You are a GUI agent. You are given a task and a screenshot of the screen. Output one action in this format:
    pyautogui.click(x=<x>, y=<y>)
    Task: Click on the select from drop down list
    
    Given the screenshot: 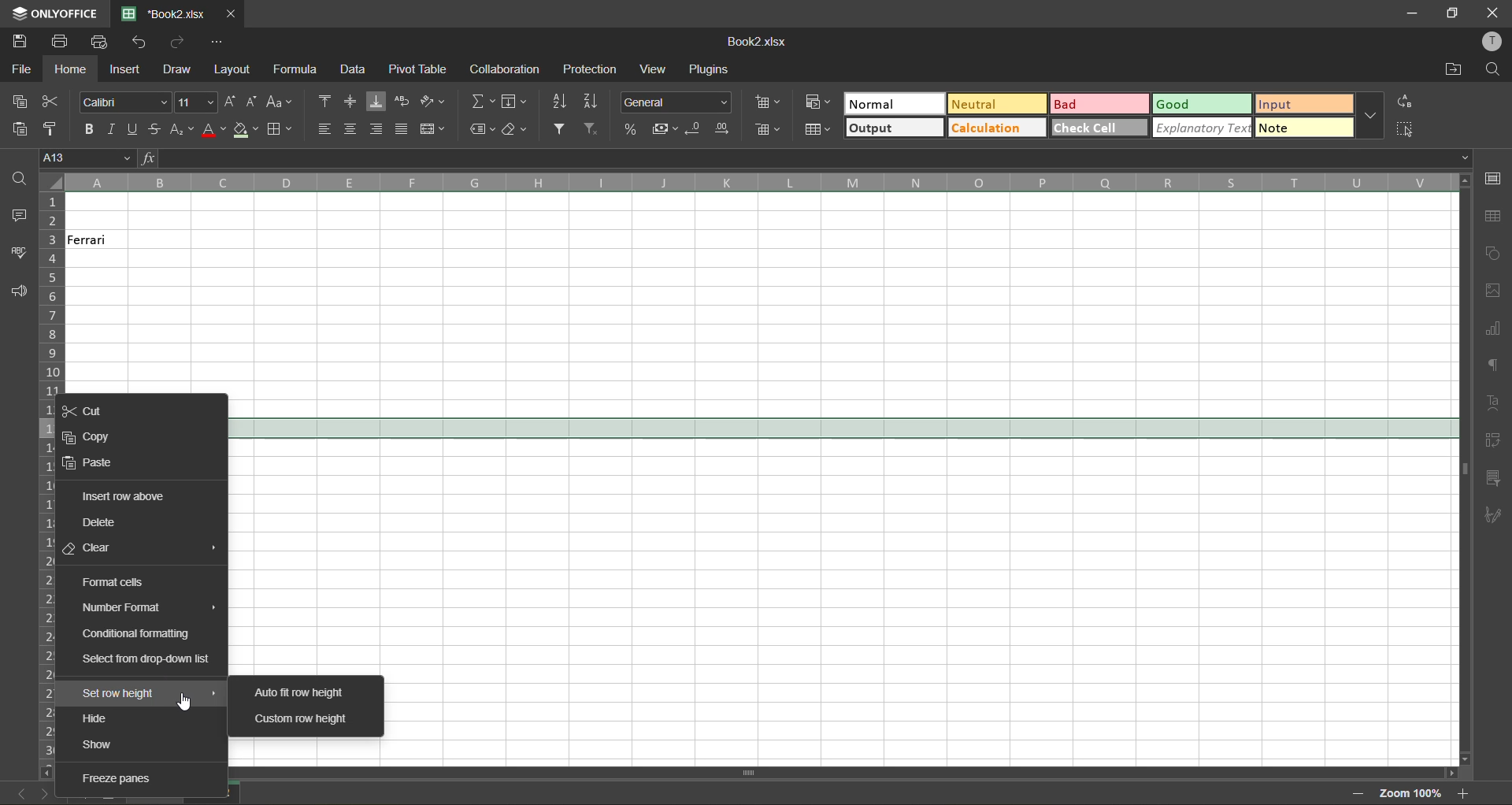 What is the action you would take?
    pyautogui.click(x=151, y=658)
    